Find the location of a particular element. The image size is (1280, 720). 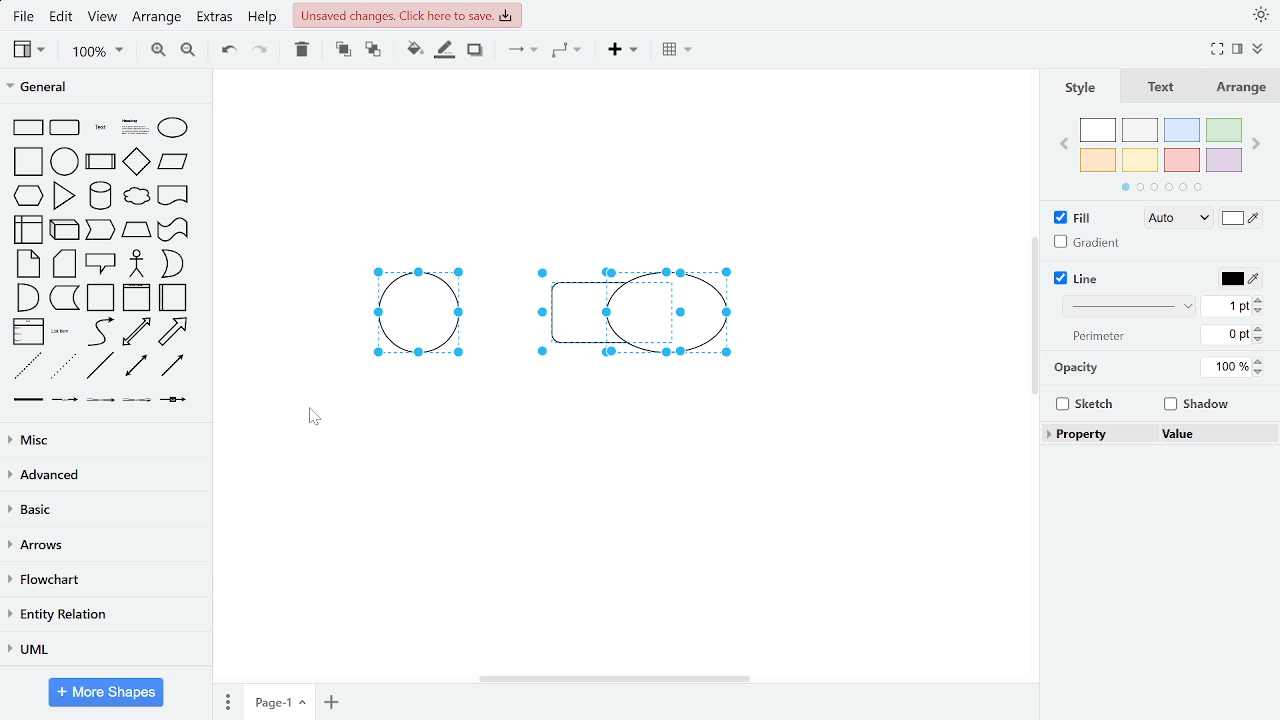

to front is located at coordinates (342, 50).